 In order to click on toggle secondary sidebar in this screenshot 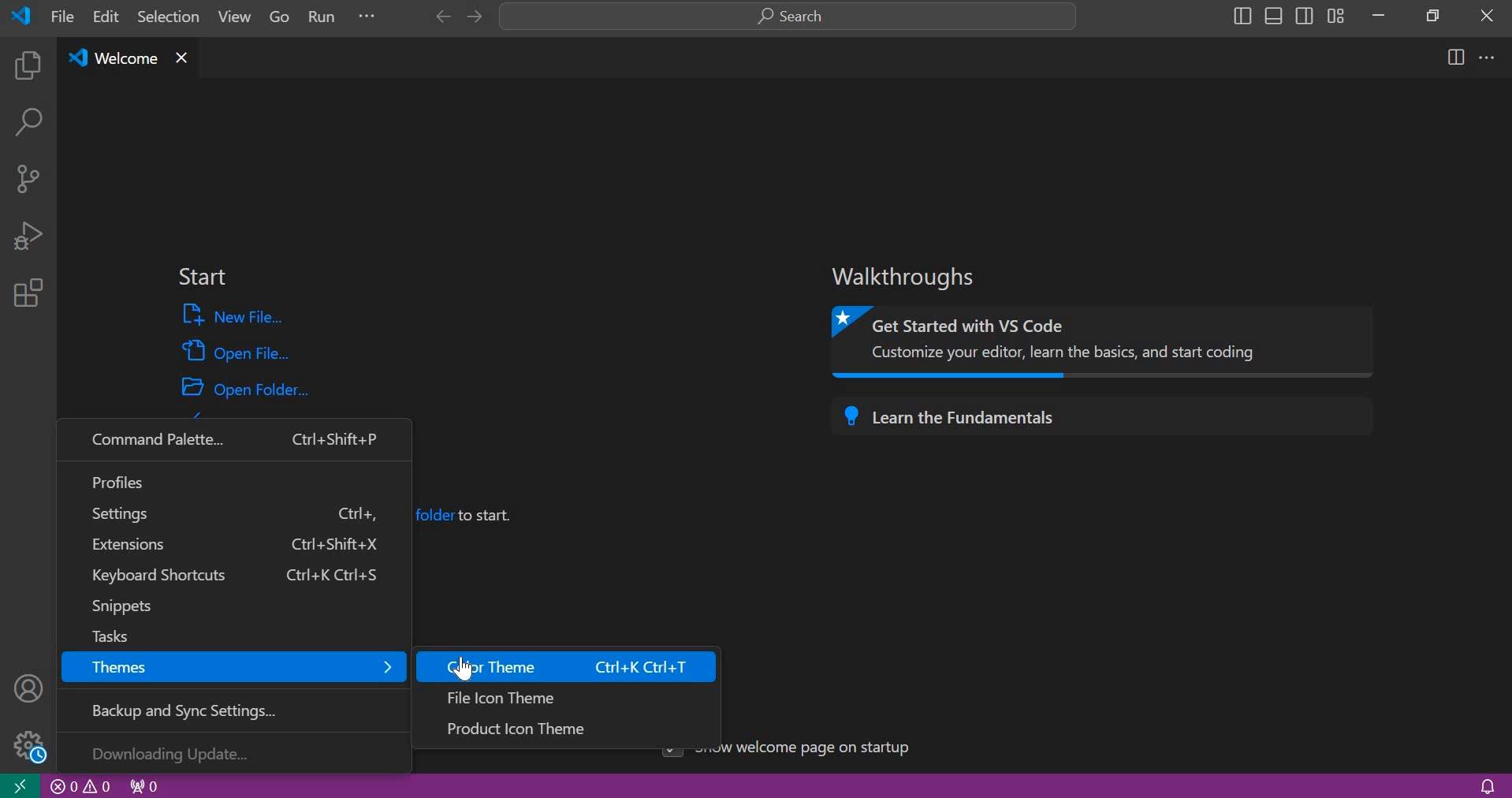, I will do `click(1305, 14)`.